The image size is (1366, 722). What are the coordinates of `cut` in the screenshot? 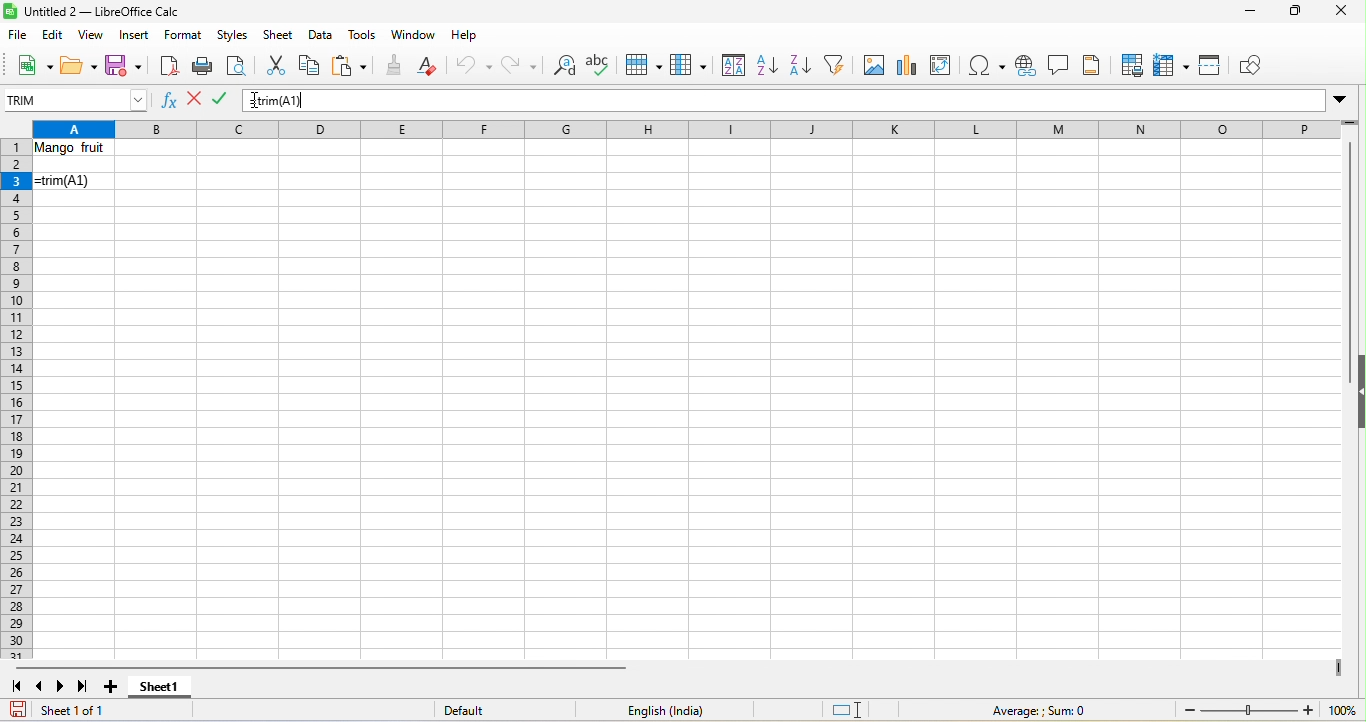 It's located at (276, 64).